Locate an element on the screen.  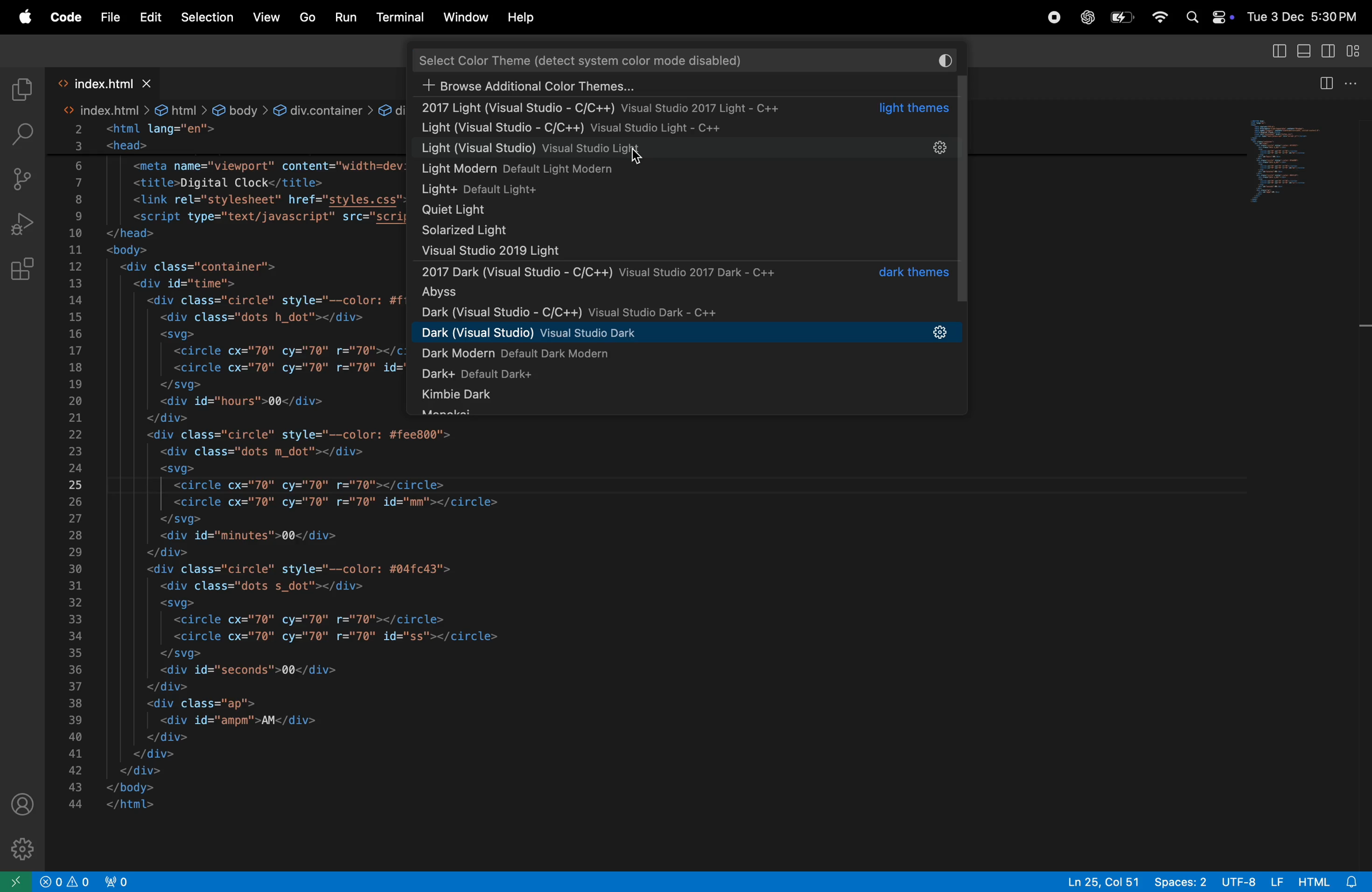
Scroll bar is located at coordinates (1362, 342).